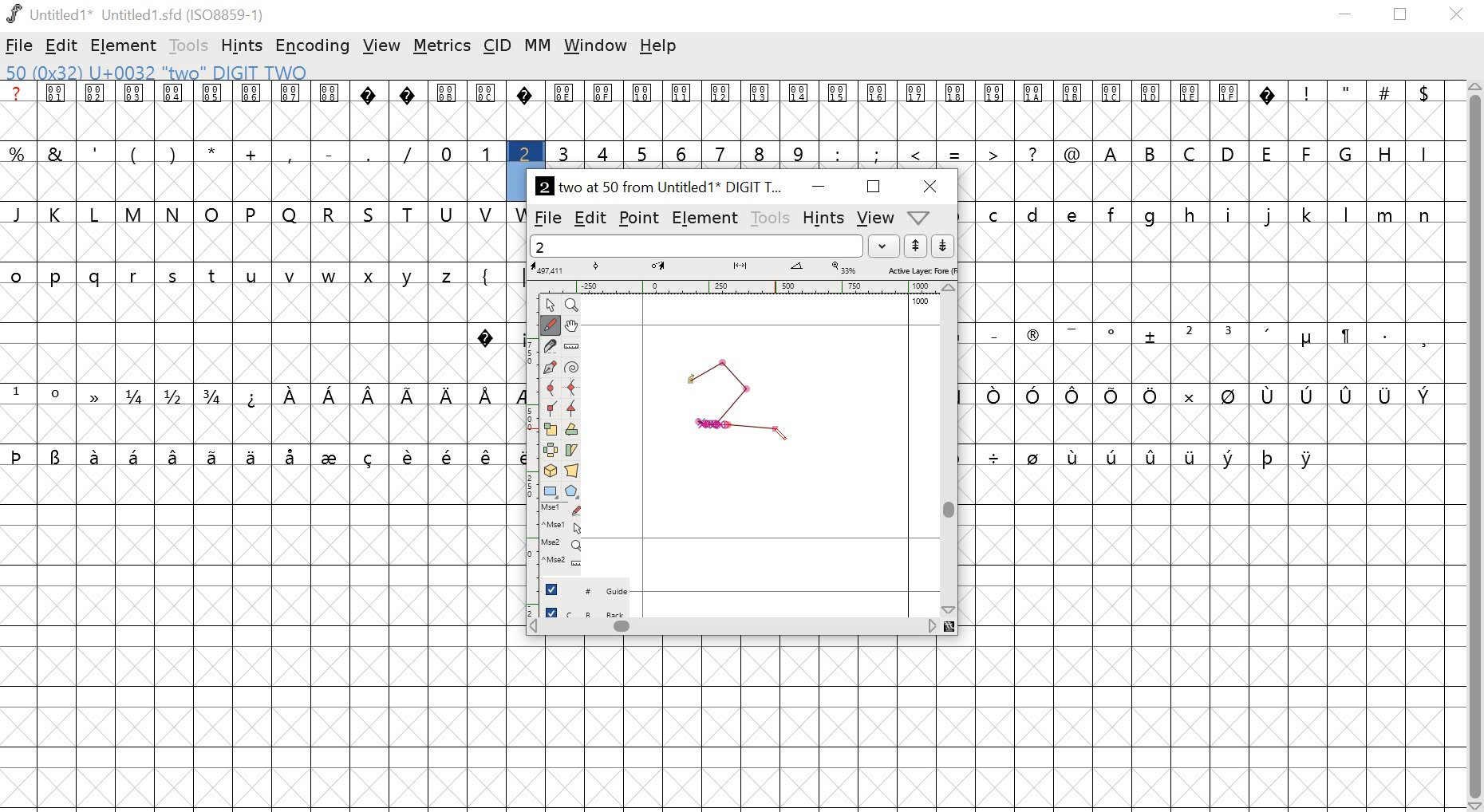 The width and height of the screenshot is (1484, 812). What do you see at coordinates (553, 305) in the screenshot?
I see `point` at bounding box center [553, 305].